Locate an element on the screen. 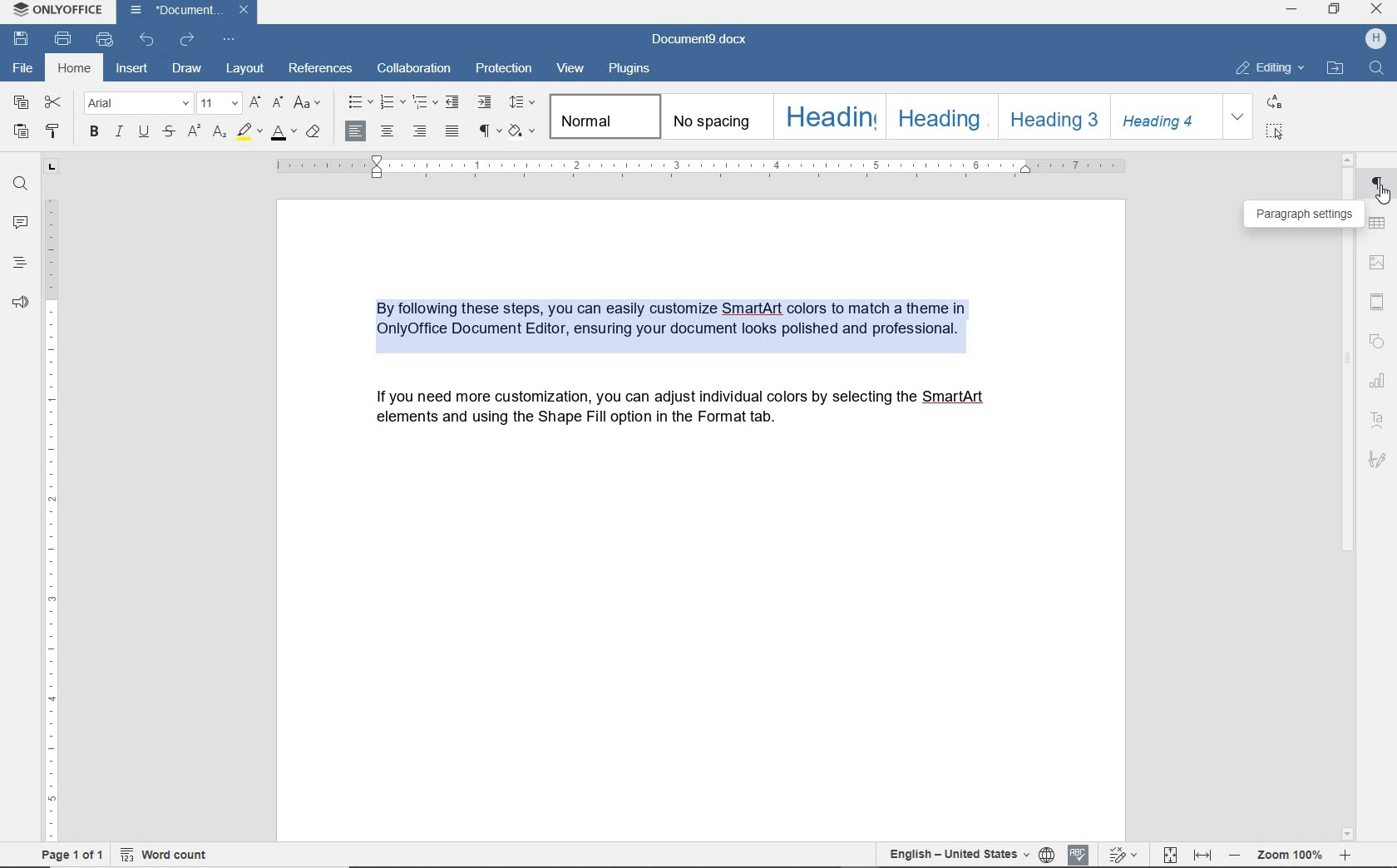 The image size is (1397, 868). scroll down is located at coordinates (1345, 835).